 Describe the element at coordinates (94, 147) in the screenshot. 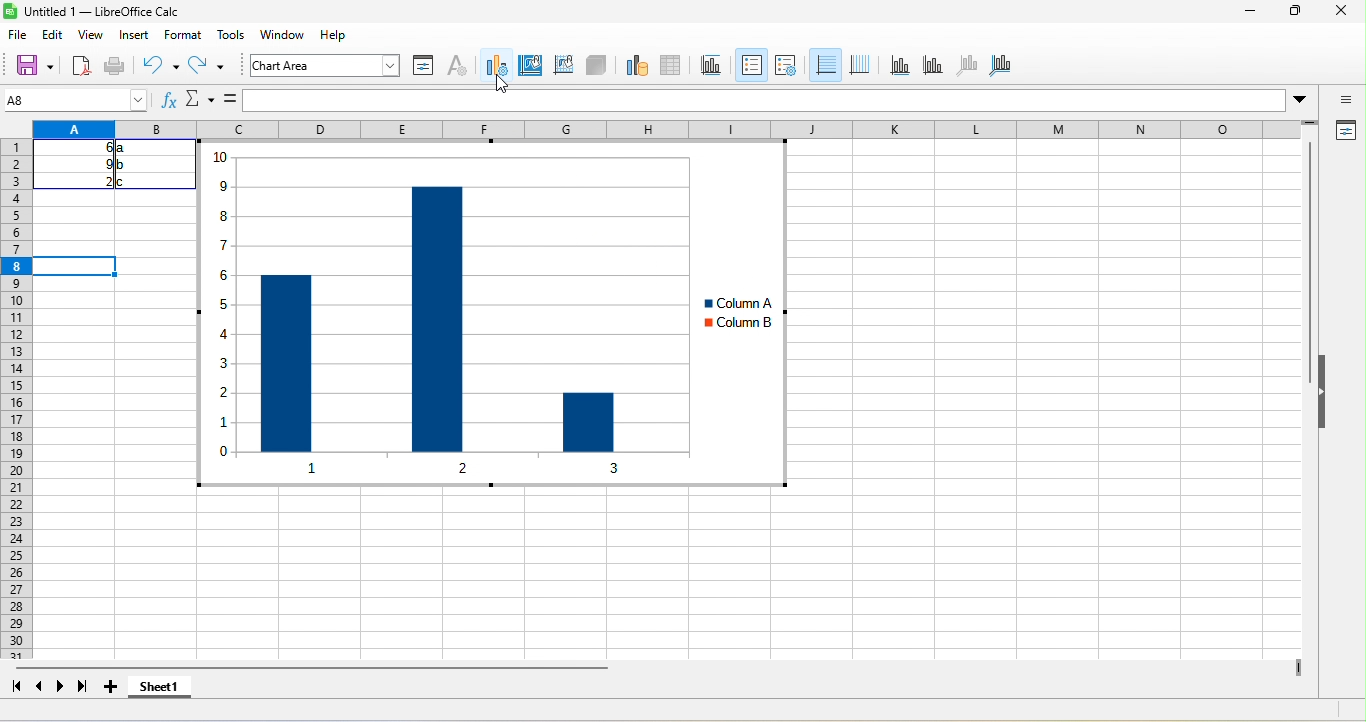

I see `6` at that location.